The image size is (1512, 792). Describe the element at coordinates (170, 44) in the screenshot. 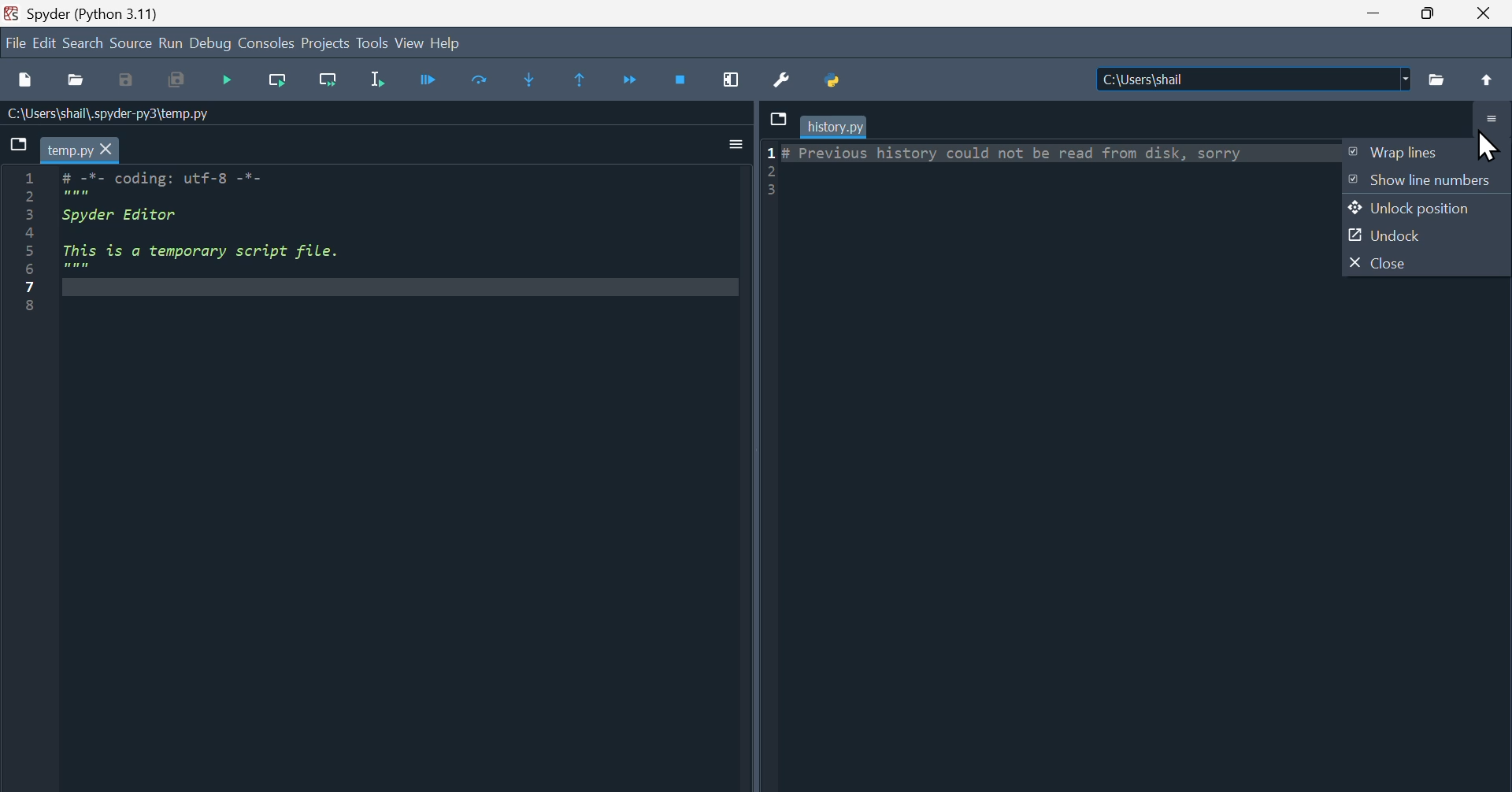

I see `Run` at that location.